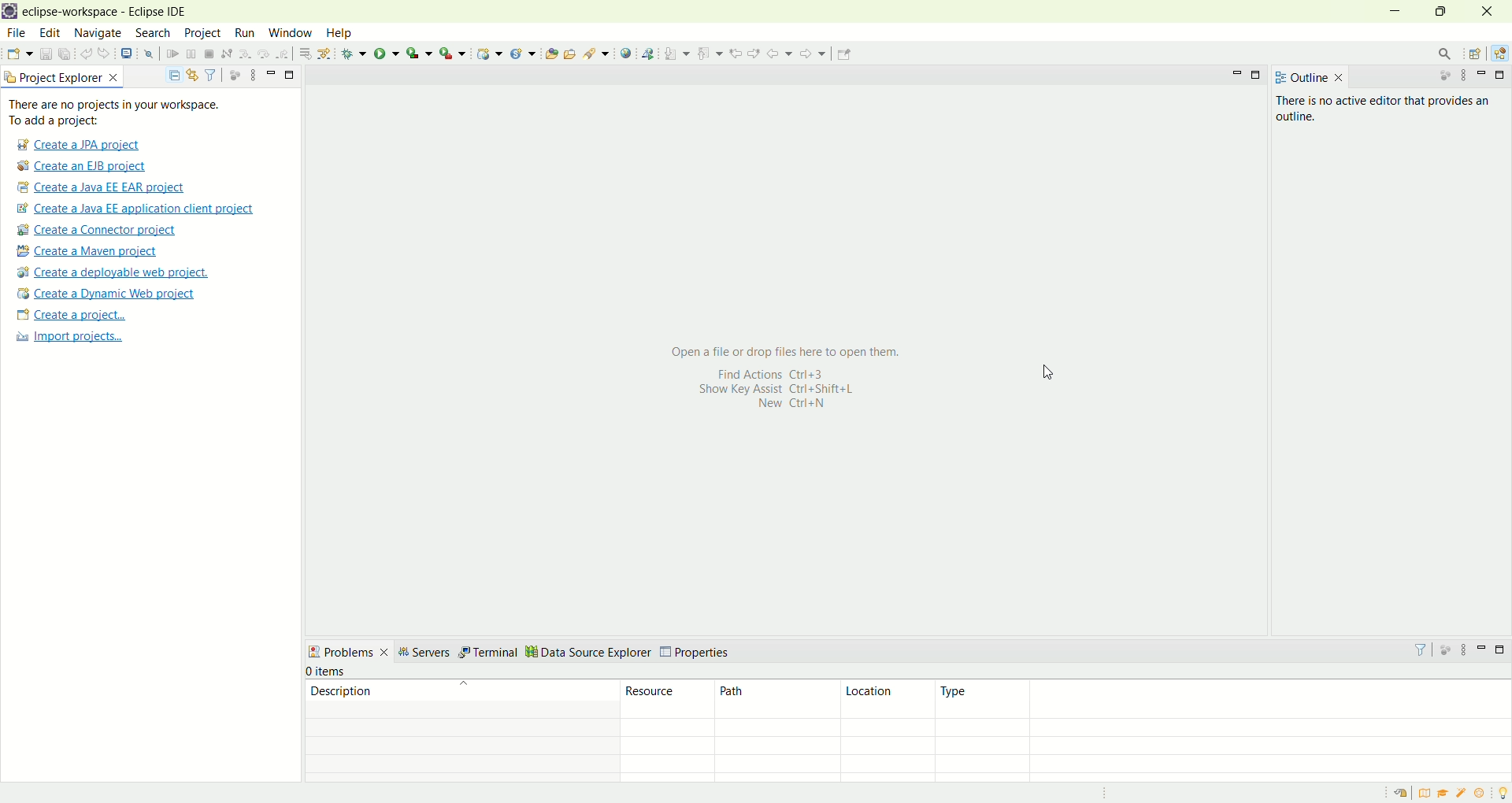 The width and height of the screenshot is (1512, 803). I want to click on search, so click(596, 55).